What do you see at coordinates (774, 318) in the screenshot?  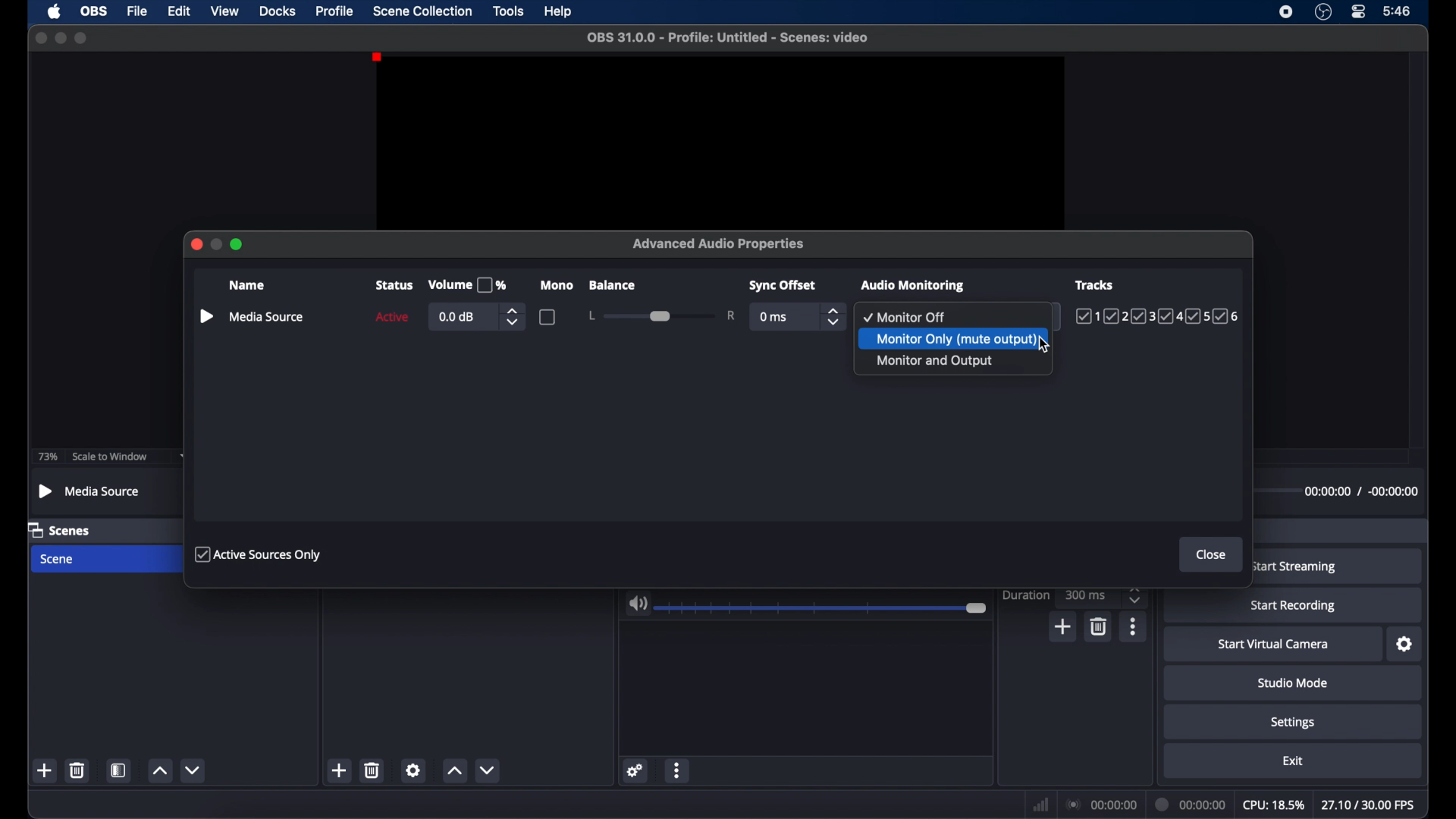 I see `0 ms` at bounding box center [774, 318].